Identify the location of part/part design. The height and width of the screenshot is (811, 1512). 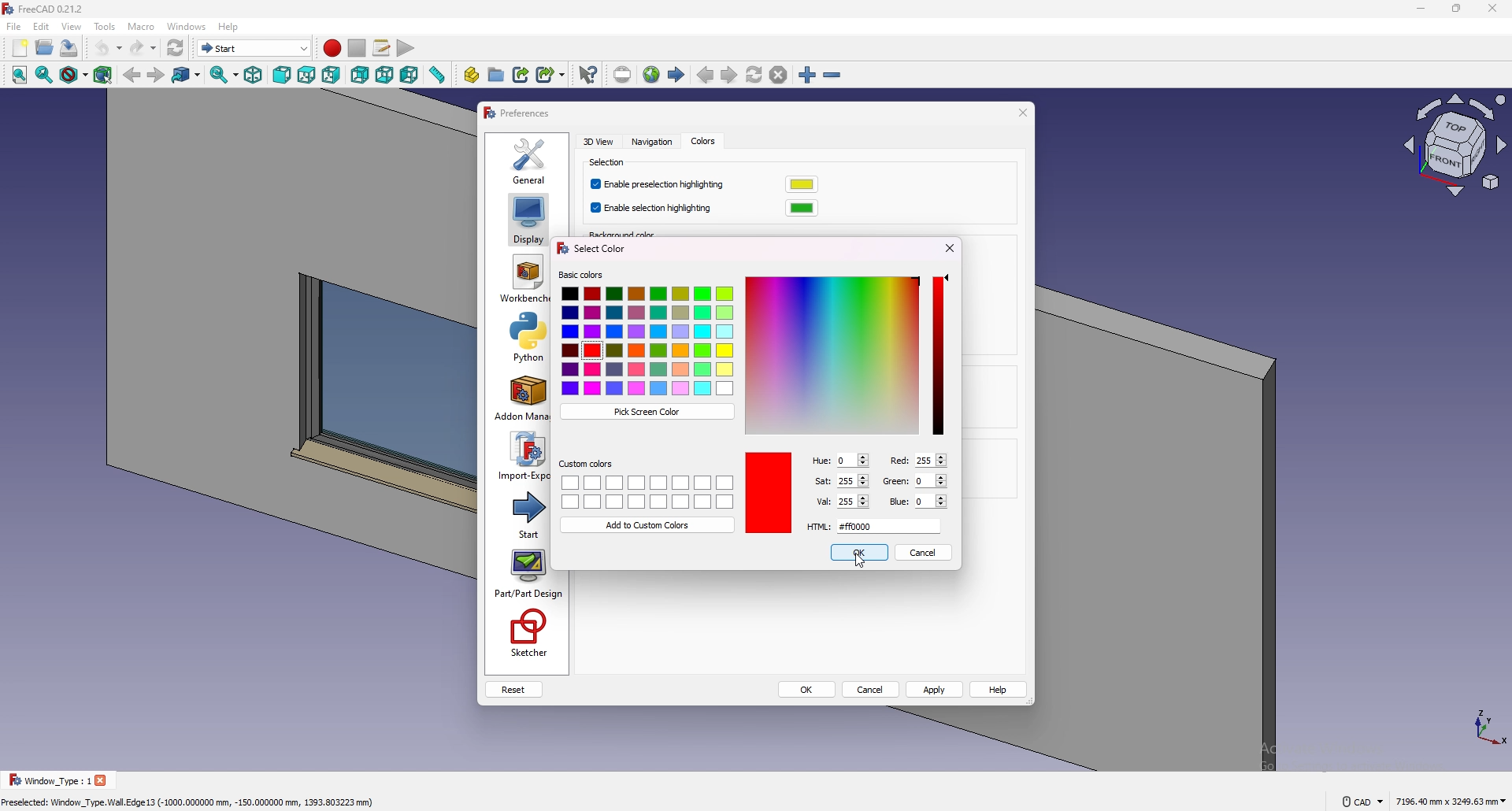
(529, 574).